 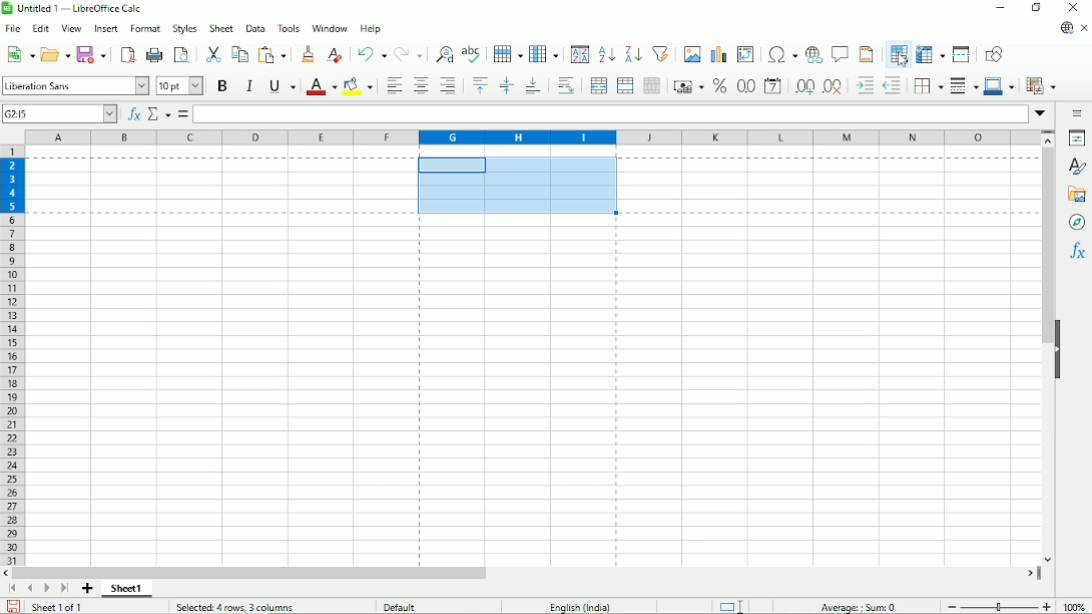 I want to click on Styles, so click(x=184, y=28).